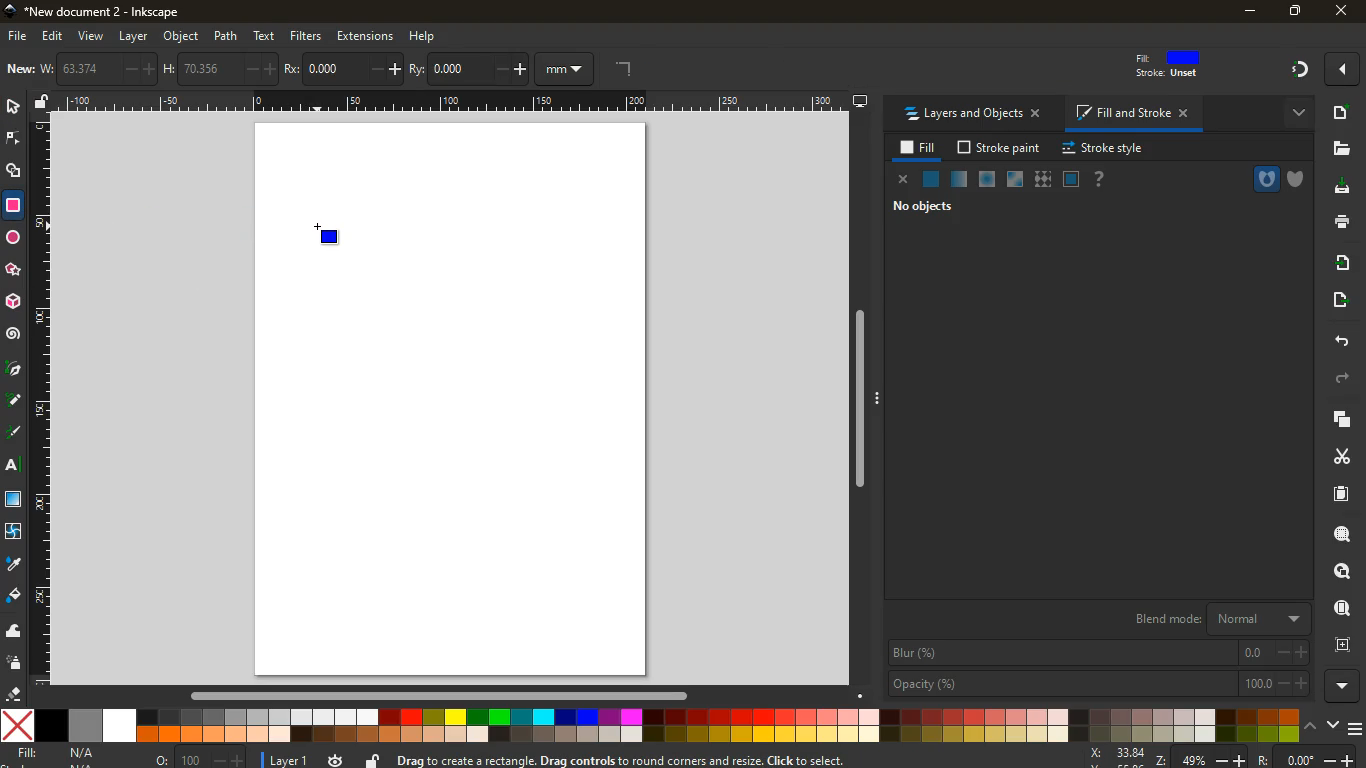 This screenshot has width=1366, height=768. I want to click on unlock, so click(44, 104).